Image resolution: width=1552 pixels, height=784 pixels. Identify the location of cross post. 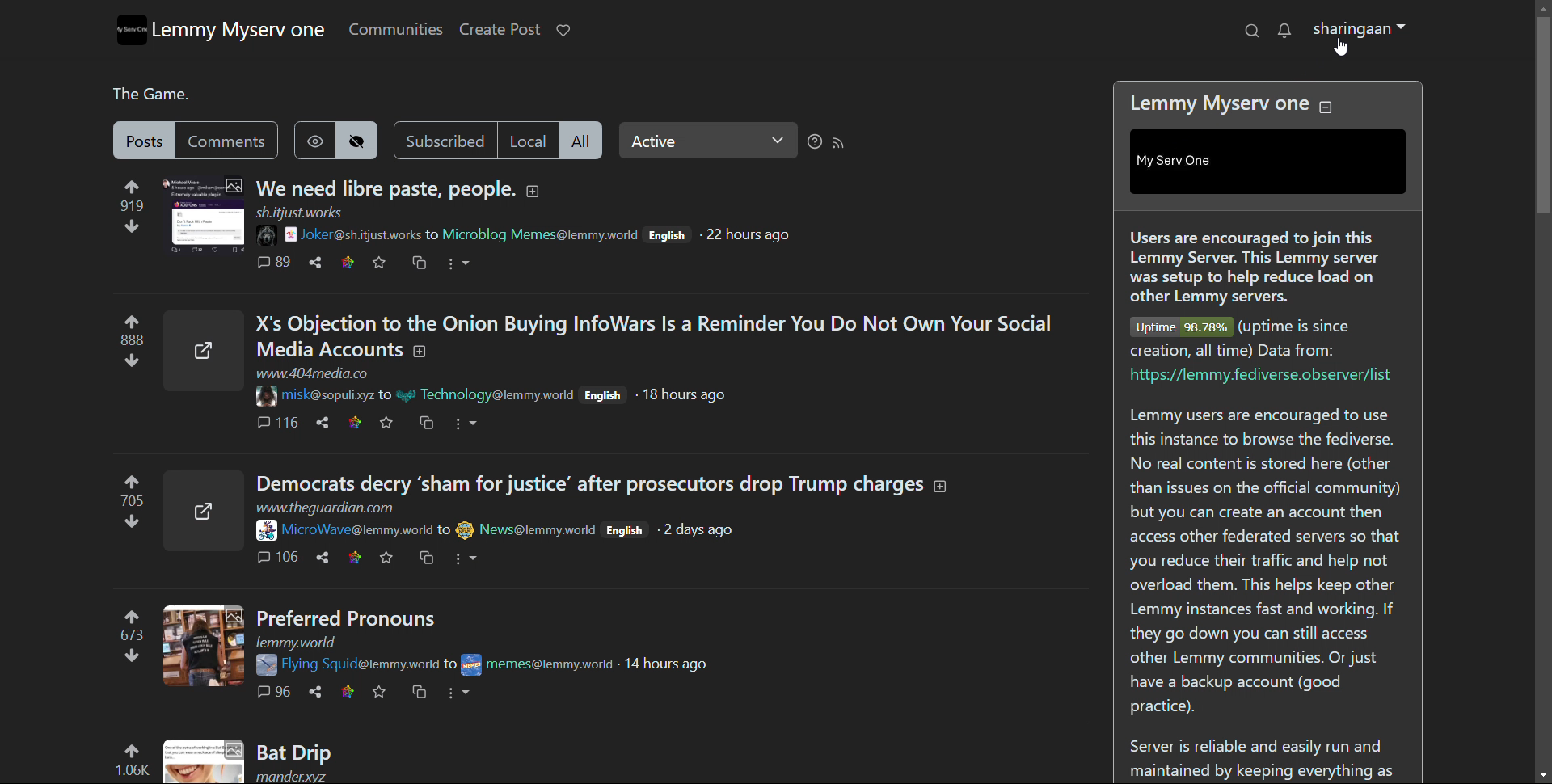
(424, 693).